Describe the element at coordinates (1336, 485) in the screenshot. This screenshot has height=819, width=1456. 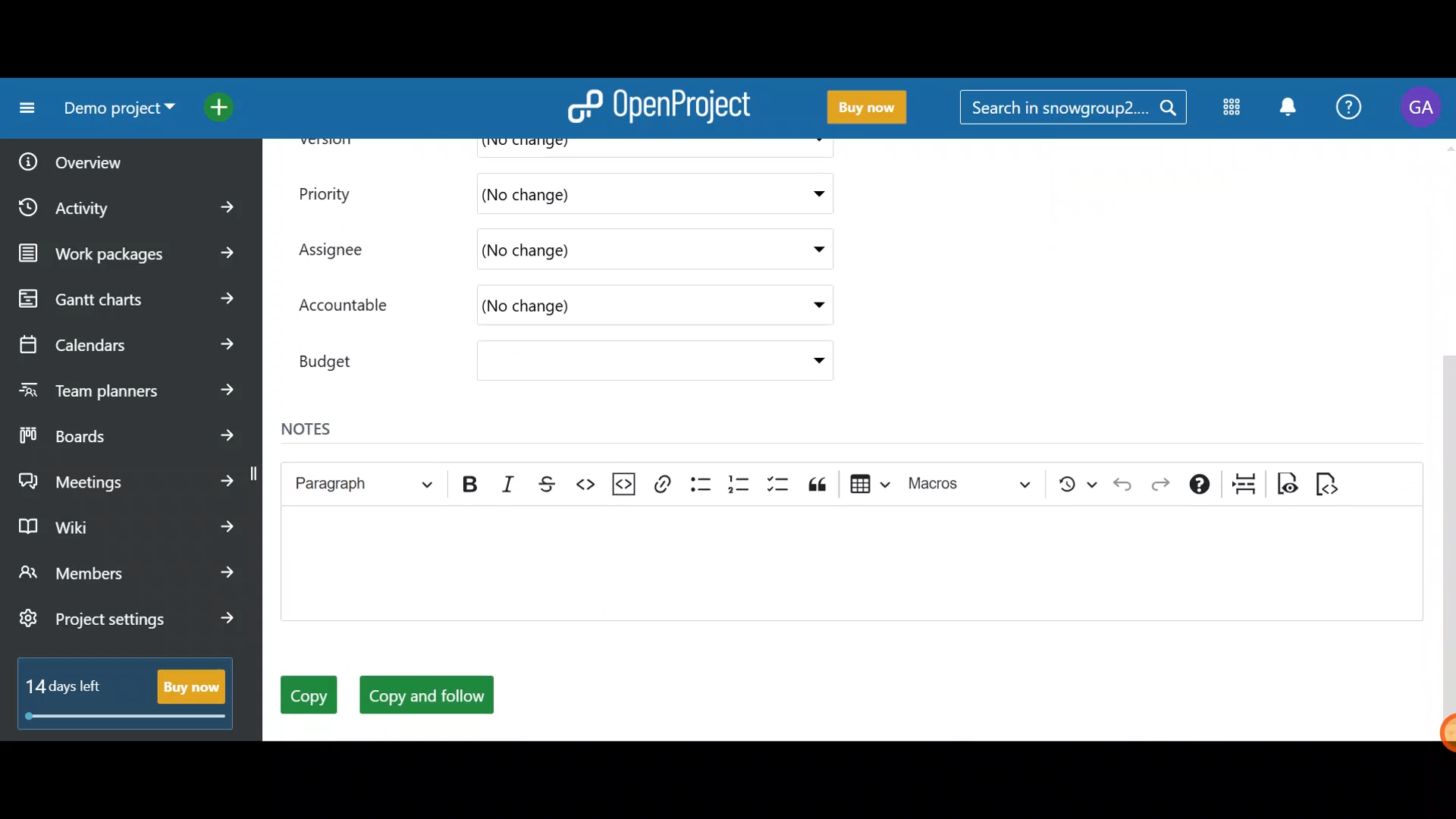
I see `Switch to markdown source` at that location.